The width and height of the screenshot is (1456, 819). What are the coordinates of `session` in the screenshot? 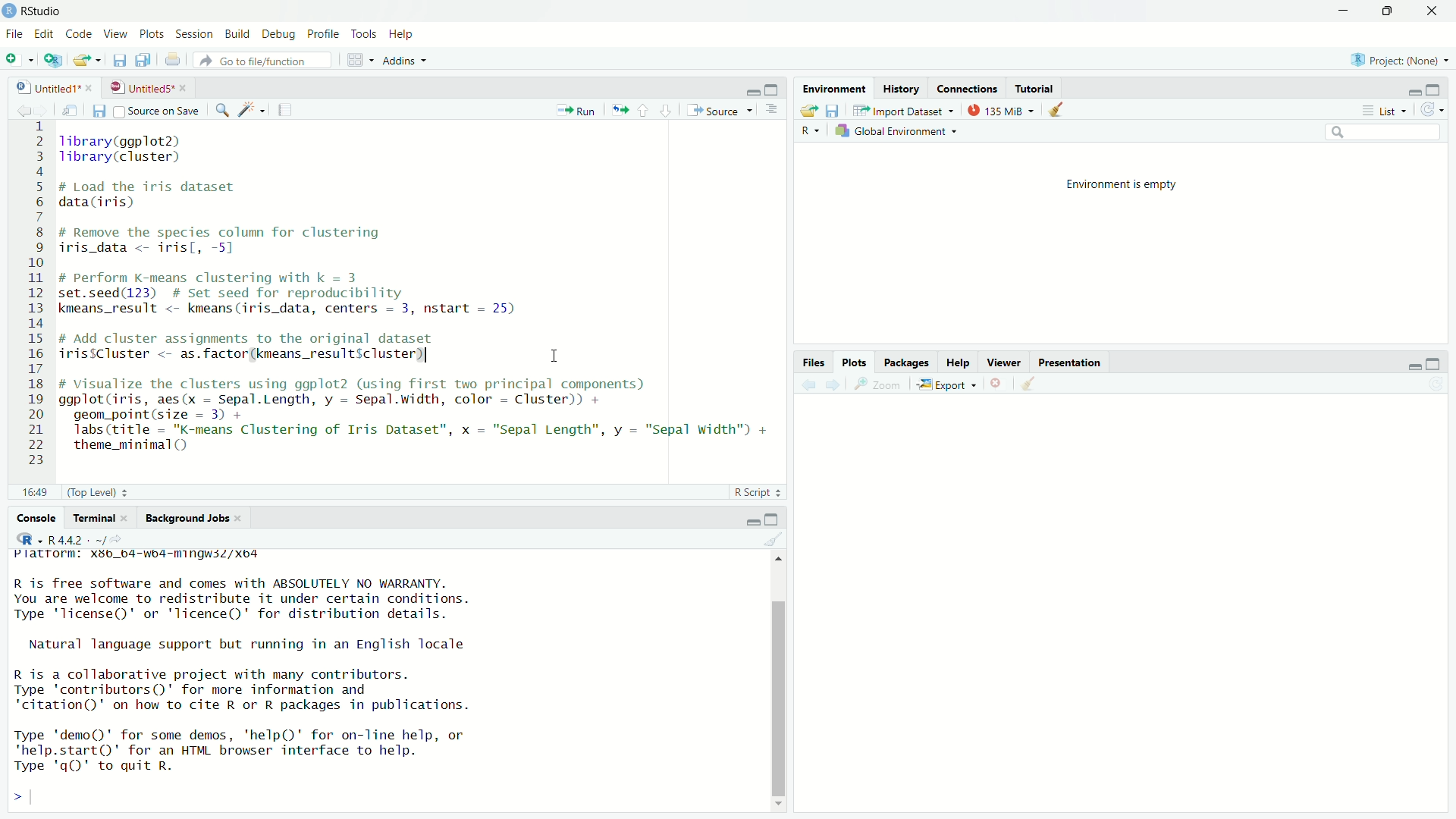 It's located at (194, 33).